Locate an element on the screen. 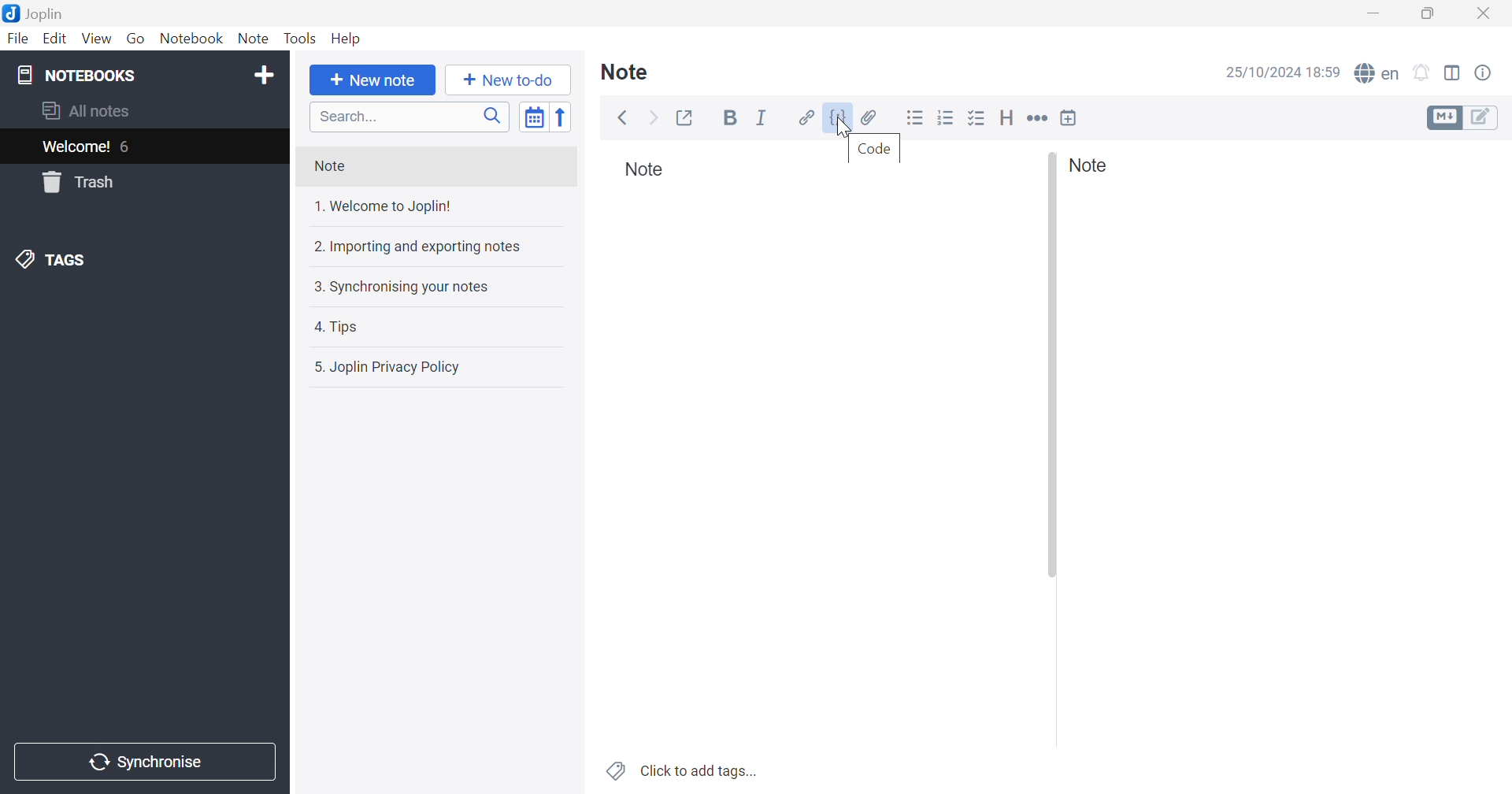 Image resolution: width=1512 pixels, height=794 pixels. Back is located at coordinates (622, 119).